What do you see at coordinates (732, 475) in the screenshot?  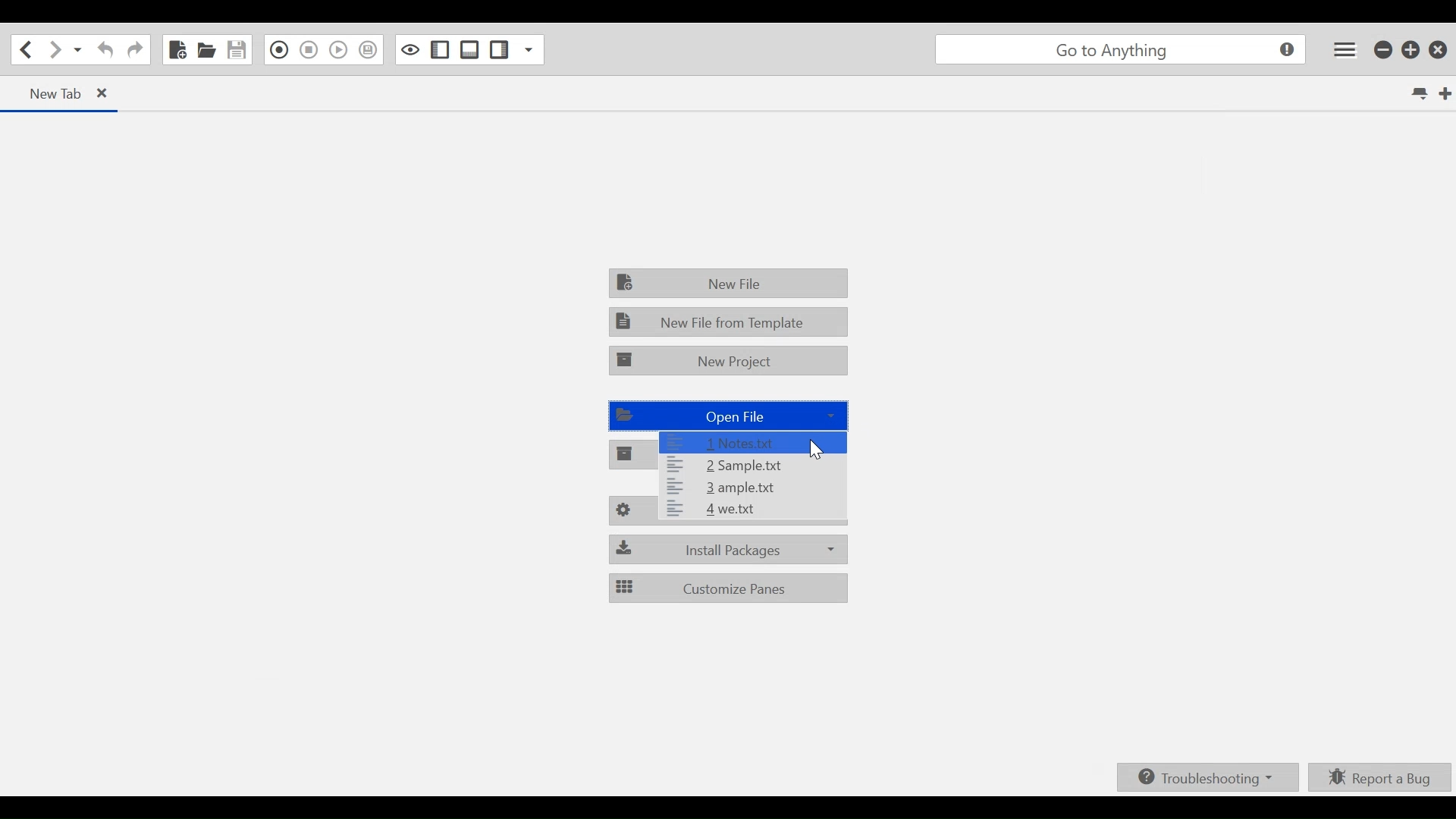 I see `1 Notes.txt
2 Sample.txt
3 ample.txt
4 we.txt` at bounding box center [732, 475].